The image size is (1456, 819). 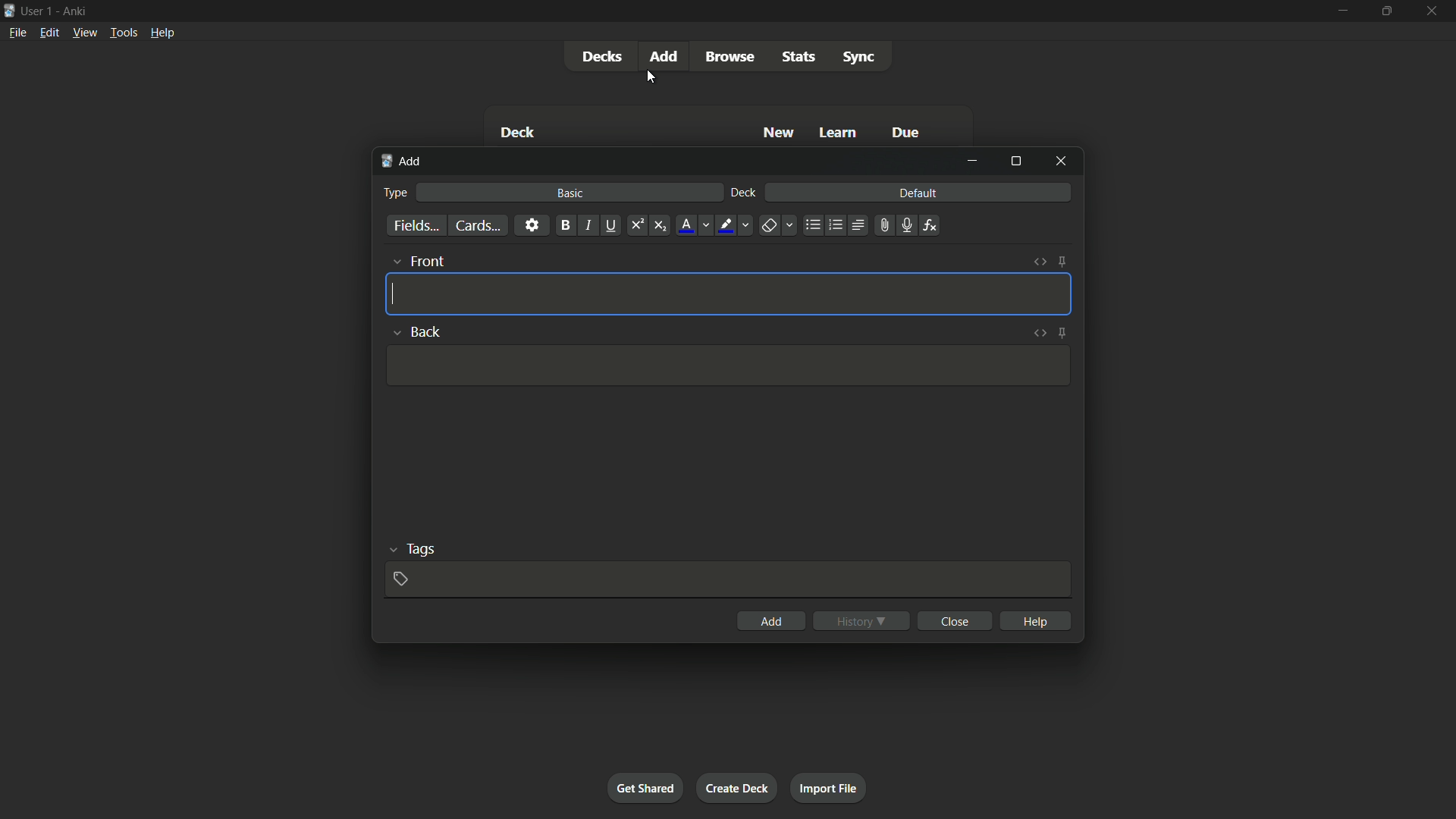 I want to click on supercript, so click(x=635, y=226).